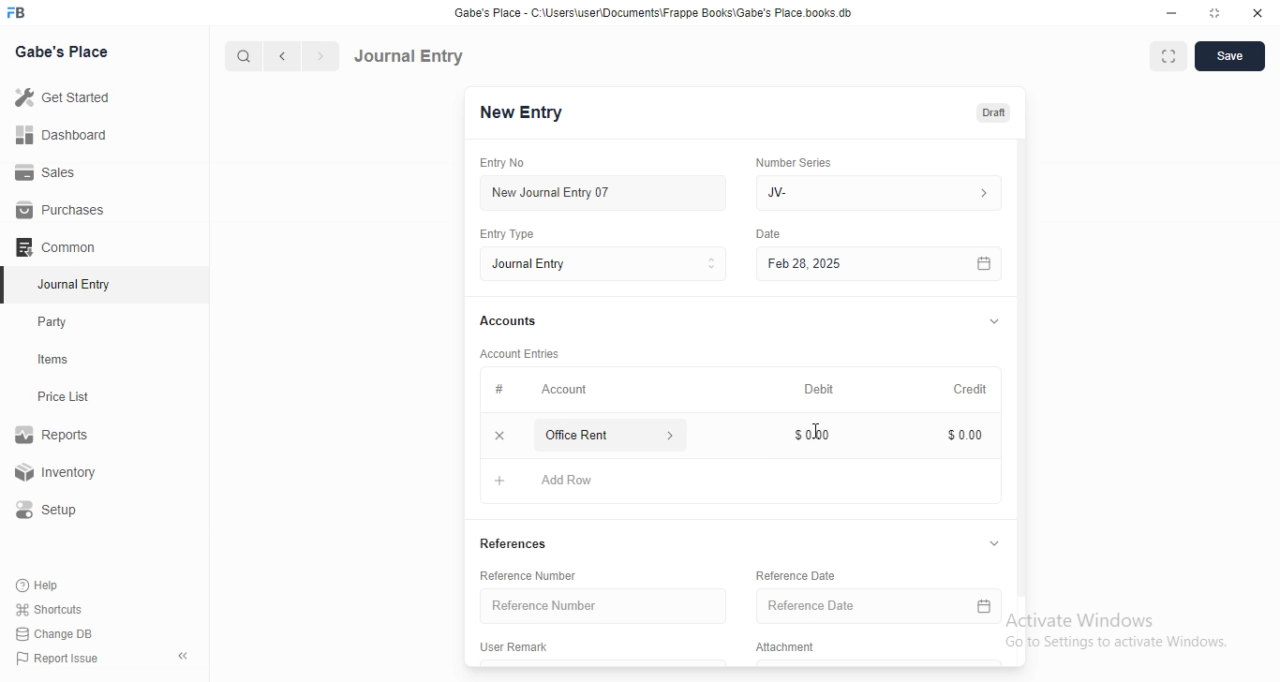 The height and width of the screenshot is (682, 1280). I want to click on Dashboard, so click(59, 135).